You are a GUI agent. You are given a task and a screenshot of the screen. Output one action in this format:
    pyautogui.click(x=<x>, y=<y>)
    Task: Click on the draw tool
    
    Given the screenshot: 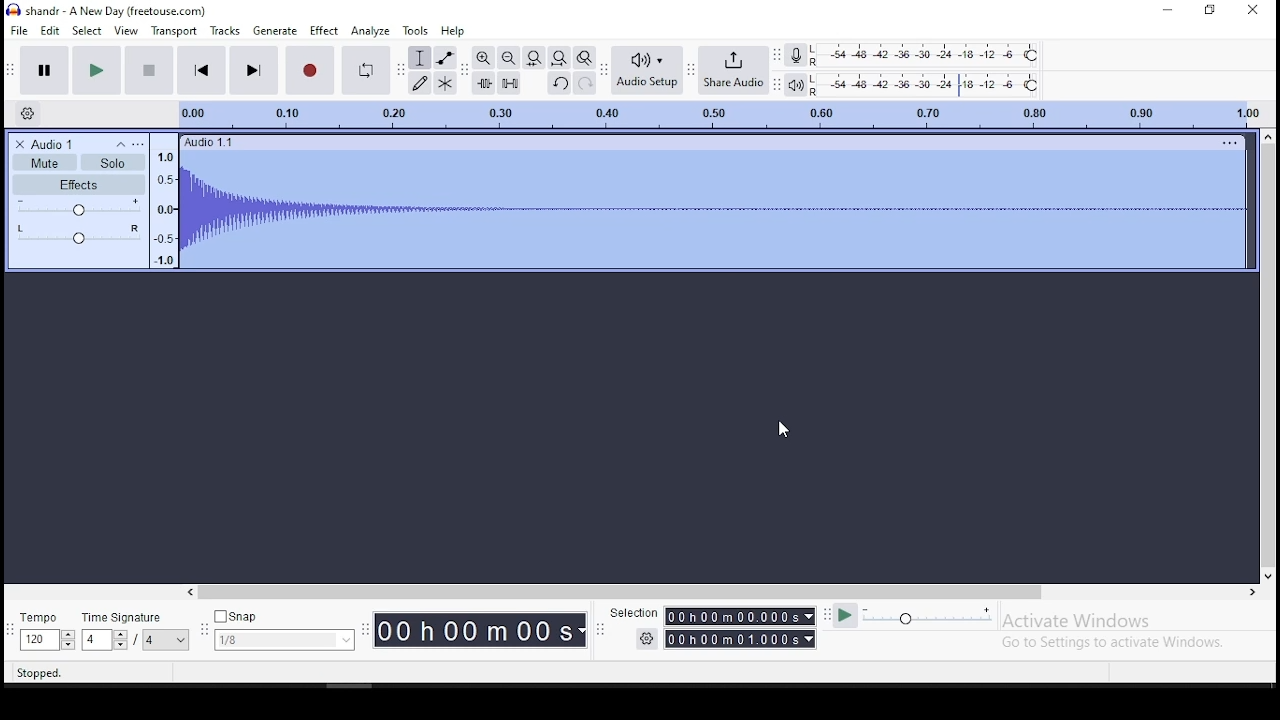 What is the action you would take?
    pyautogui.click(x=418, y=82)
    